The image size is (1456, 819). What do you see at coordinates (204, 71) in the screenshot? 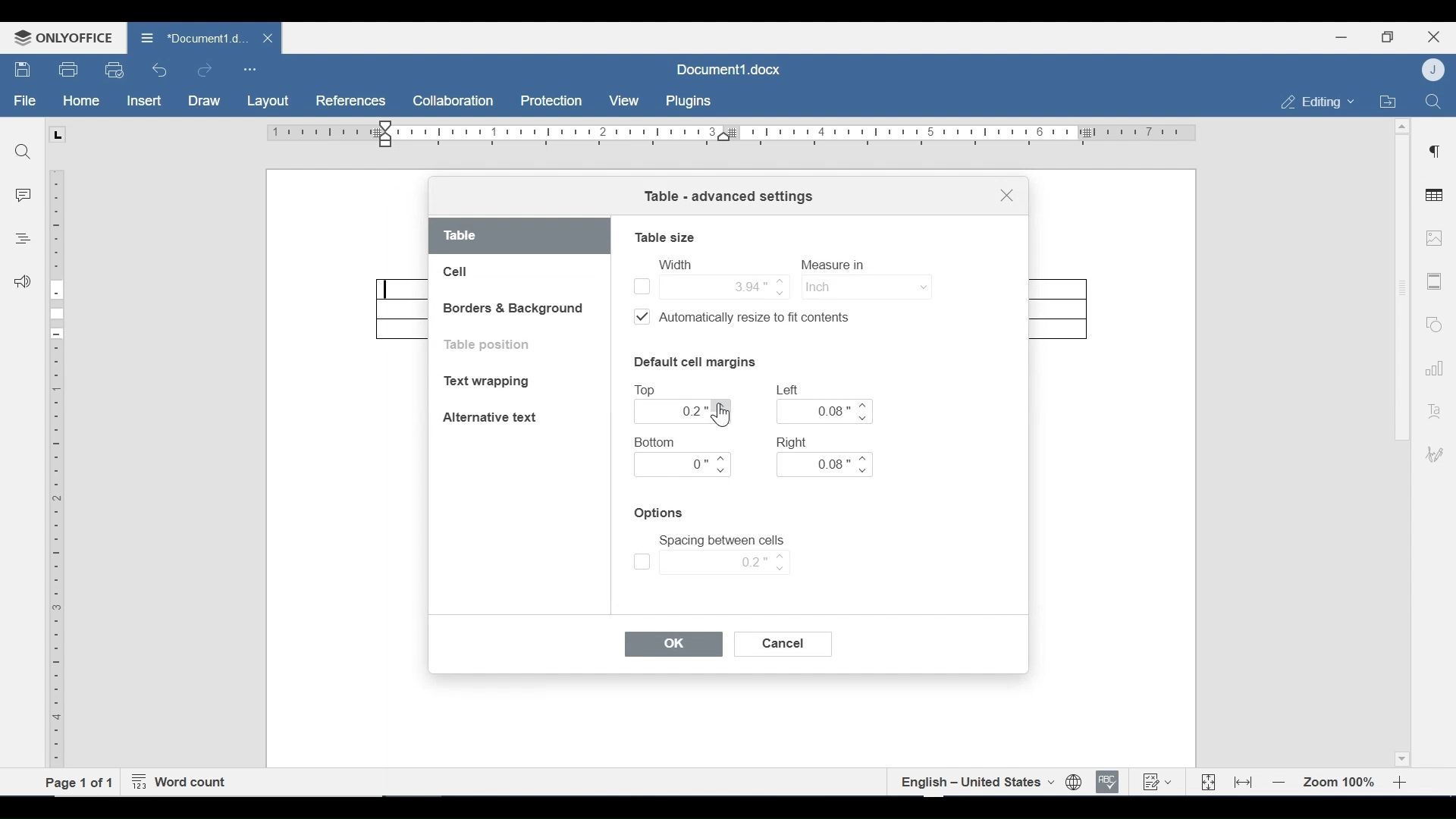
I see `Redo` at bounding box center [204, 71].